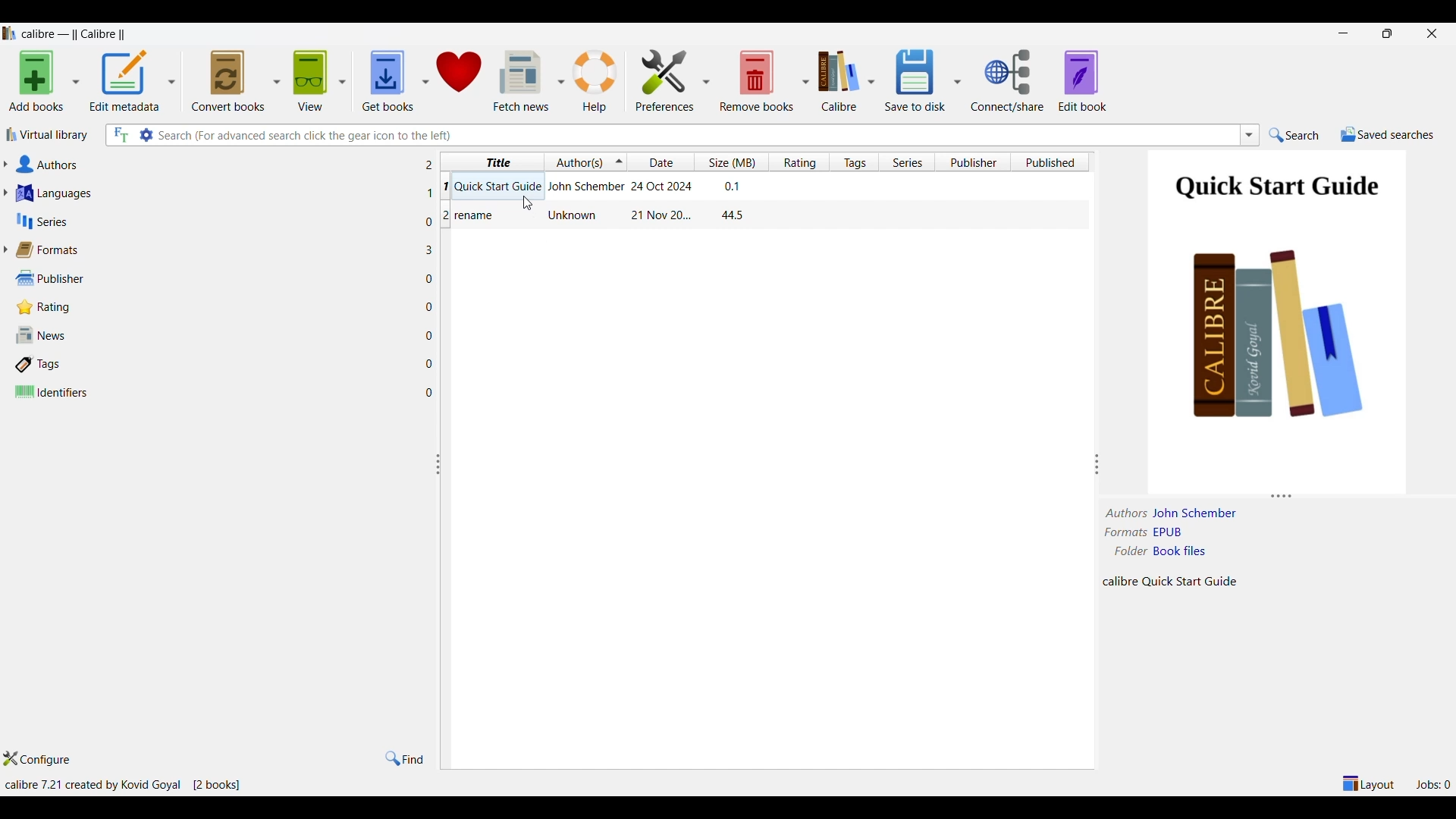  I want to click on List searches, so click(1250, 135).